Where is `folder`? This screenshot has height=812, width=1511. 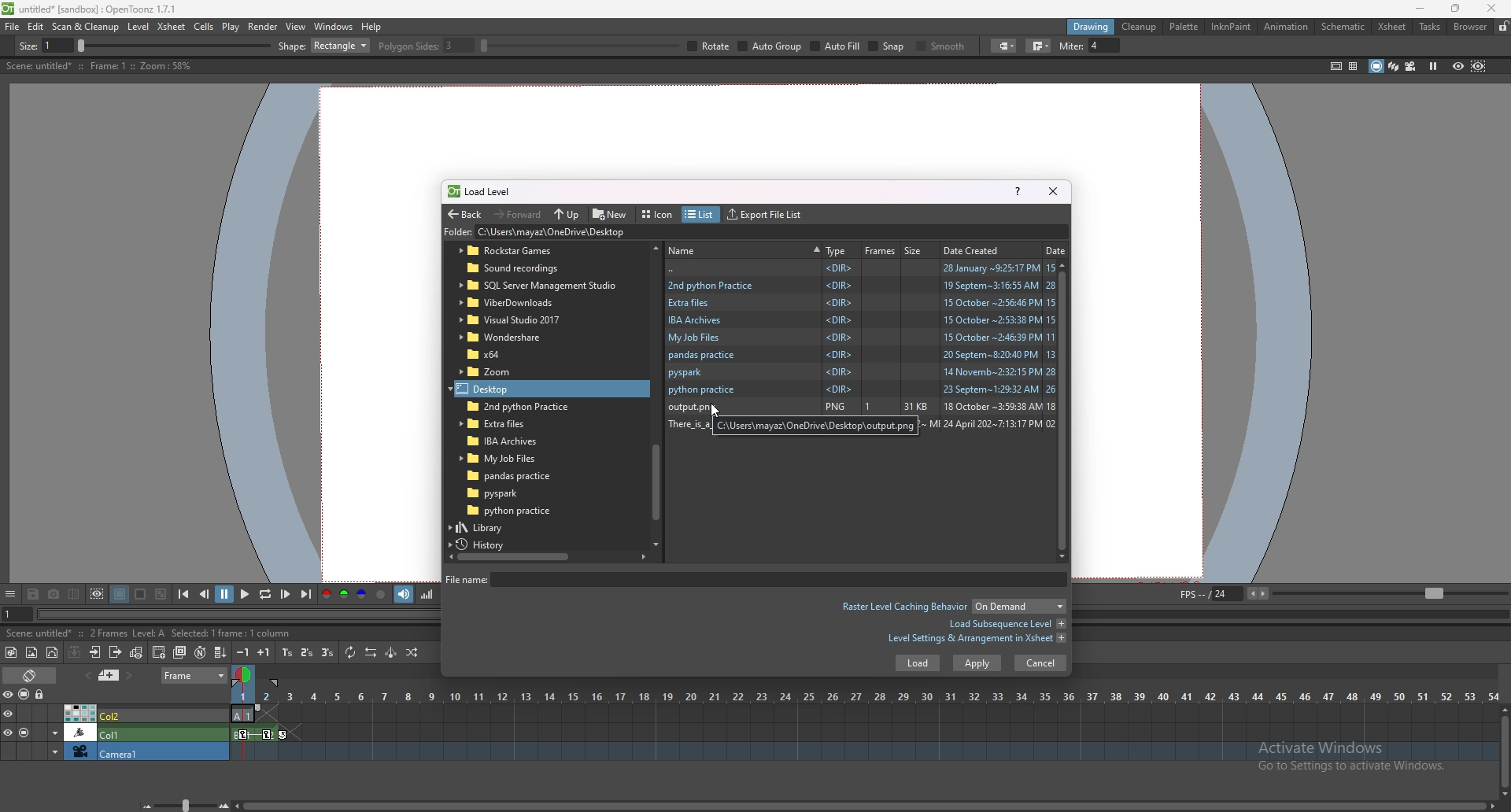
folder is located at coordinates (860, 320).